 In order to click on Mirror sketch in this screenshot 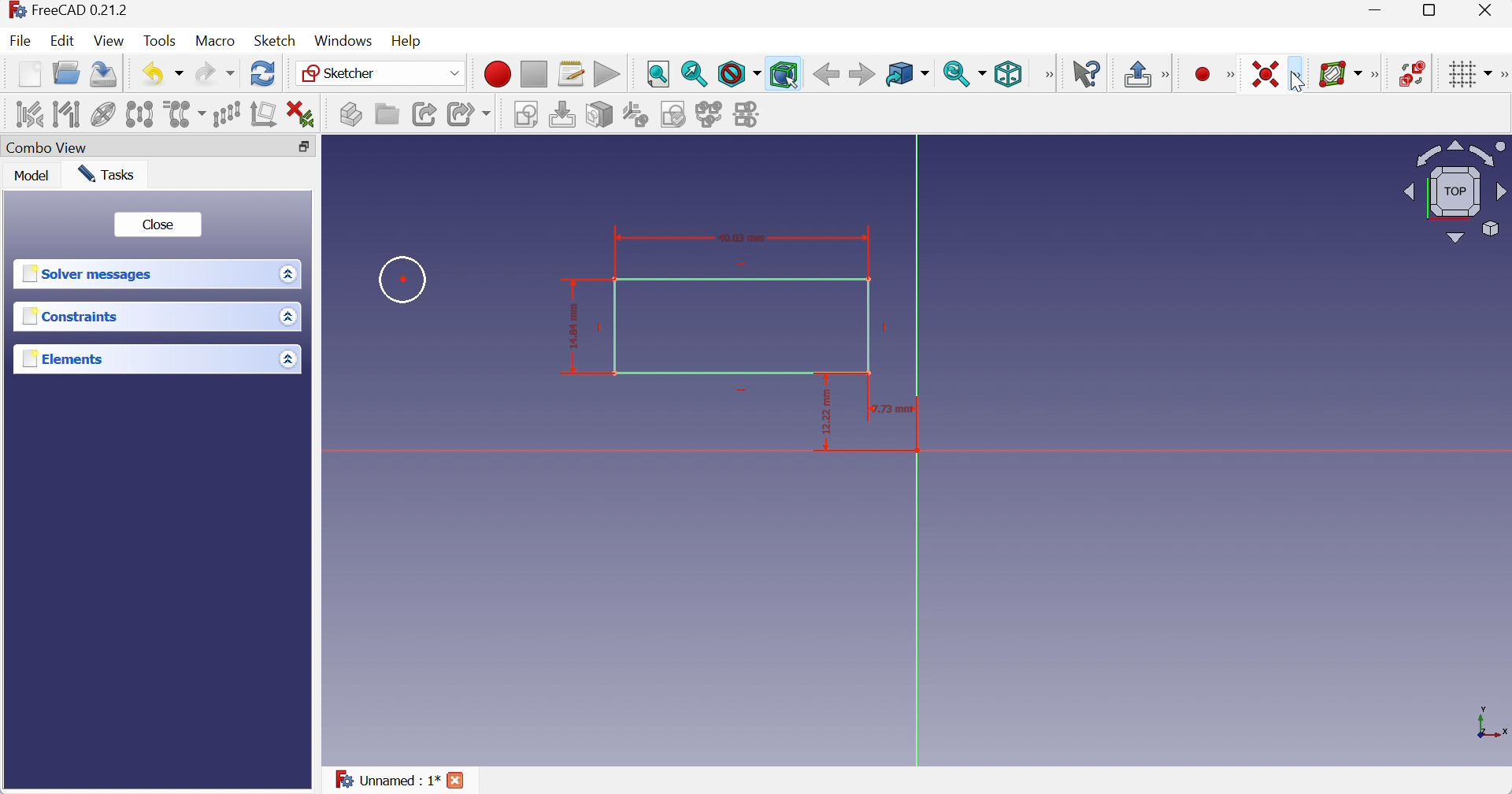, I will do `click(750, 116)`.